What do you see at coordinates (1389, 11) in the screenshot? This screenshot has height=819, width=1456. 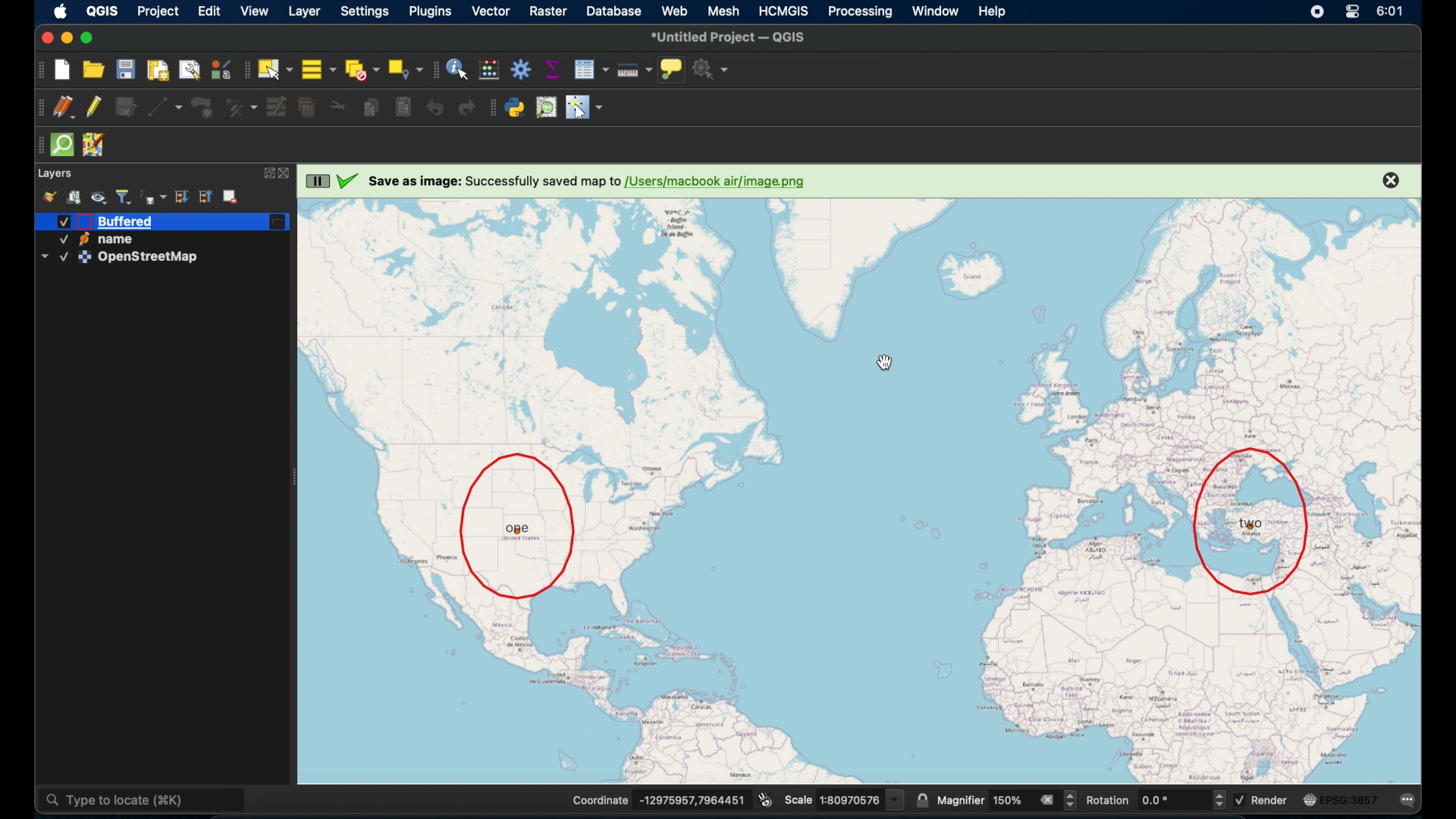 I see `time 6:01` at bounding box center [1389, 11].